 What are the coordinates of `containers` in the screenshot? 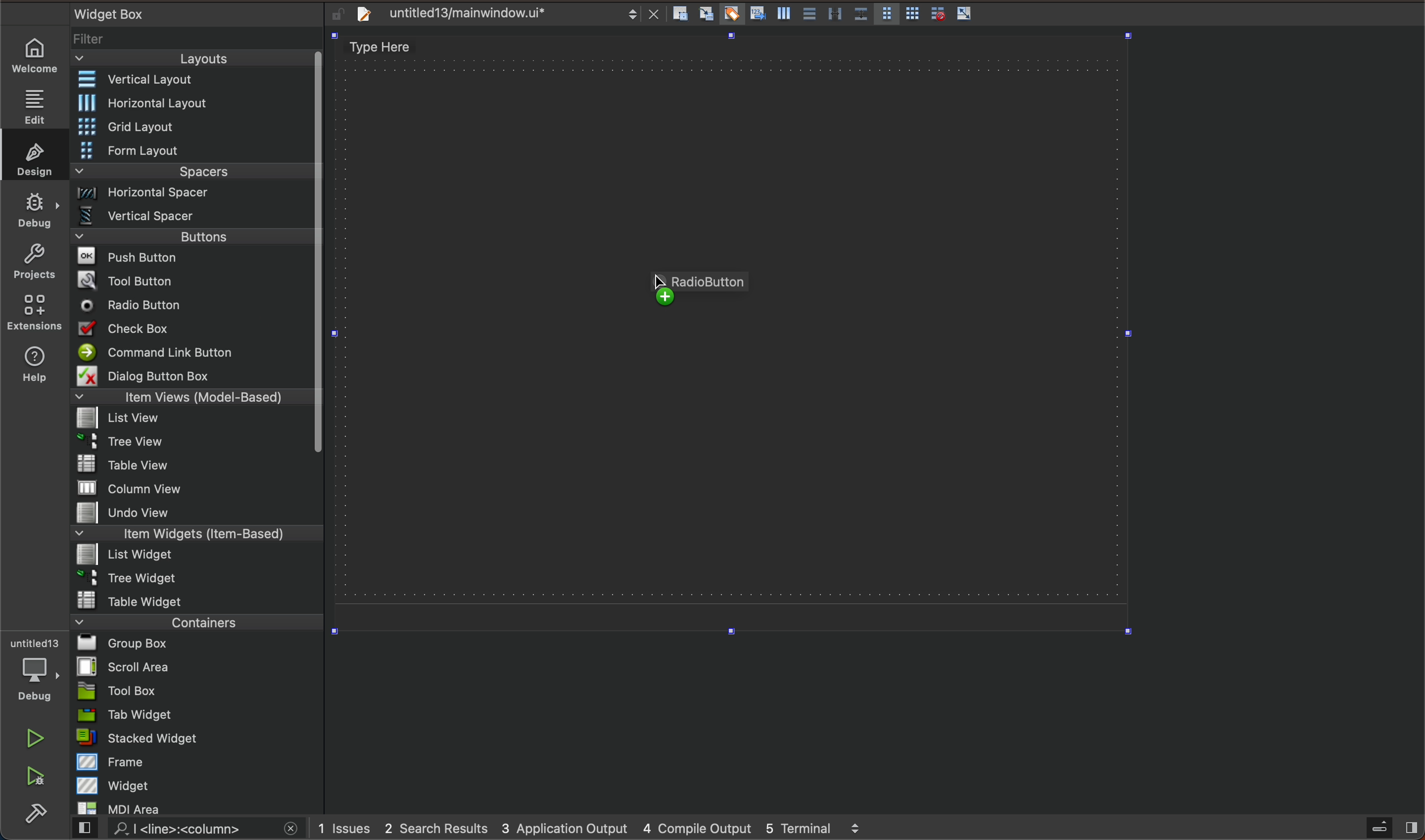 It's located at (191, 622).